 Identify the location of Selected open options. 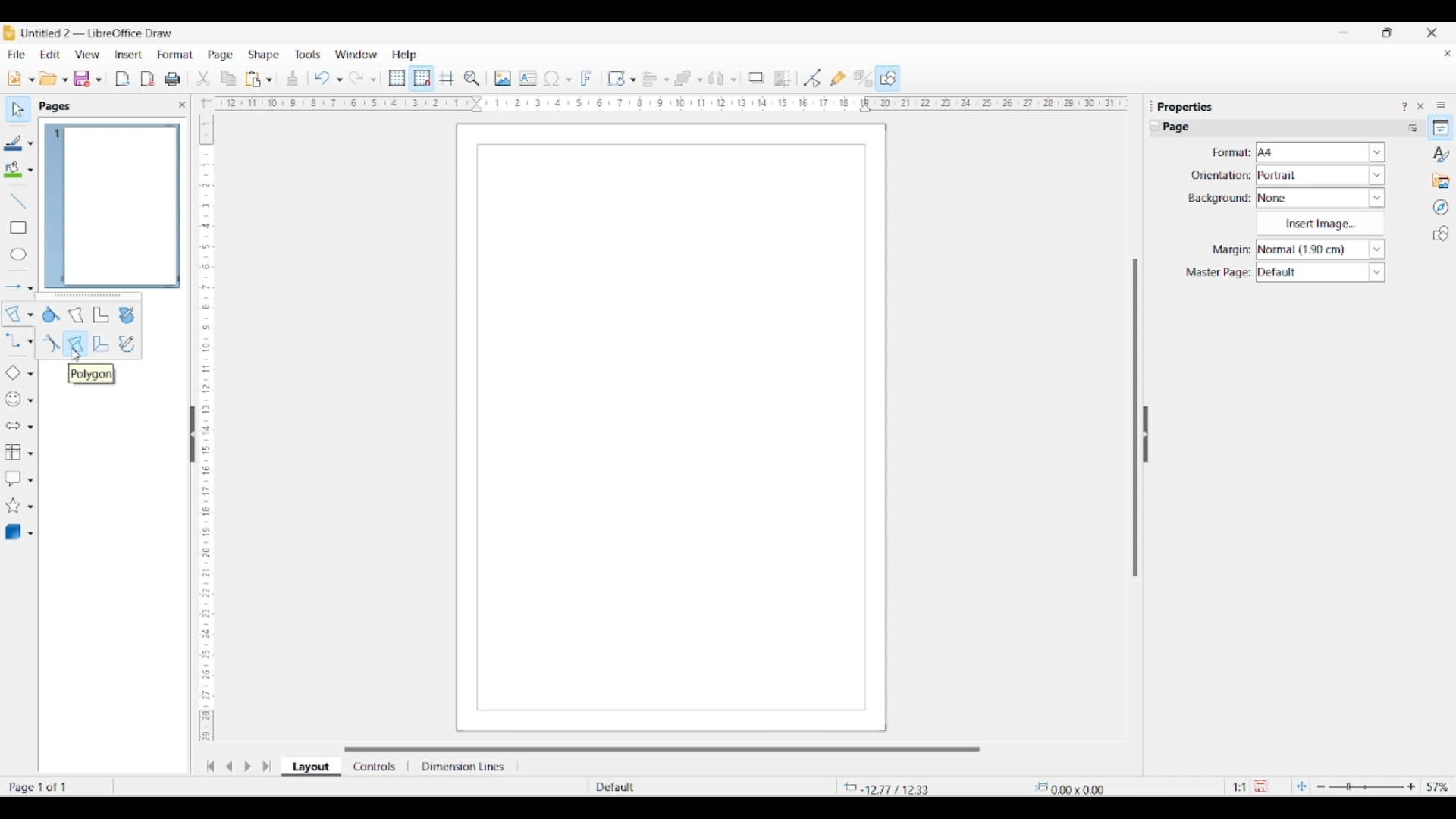
(49, 79).